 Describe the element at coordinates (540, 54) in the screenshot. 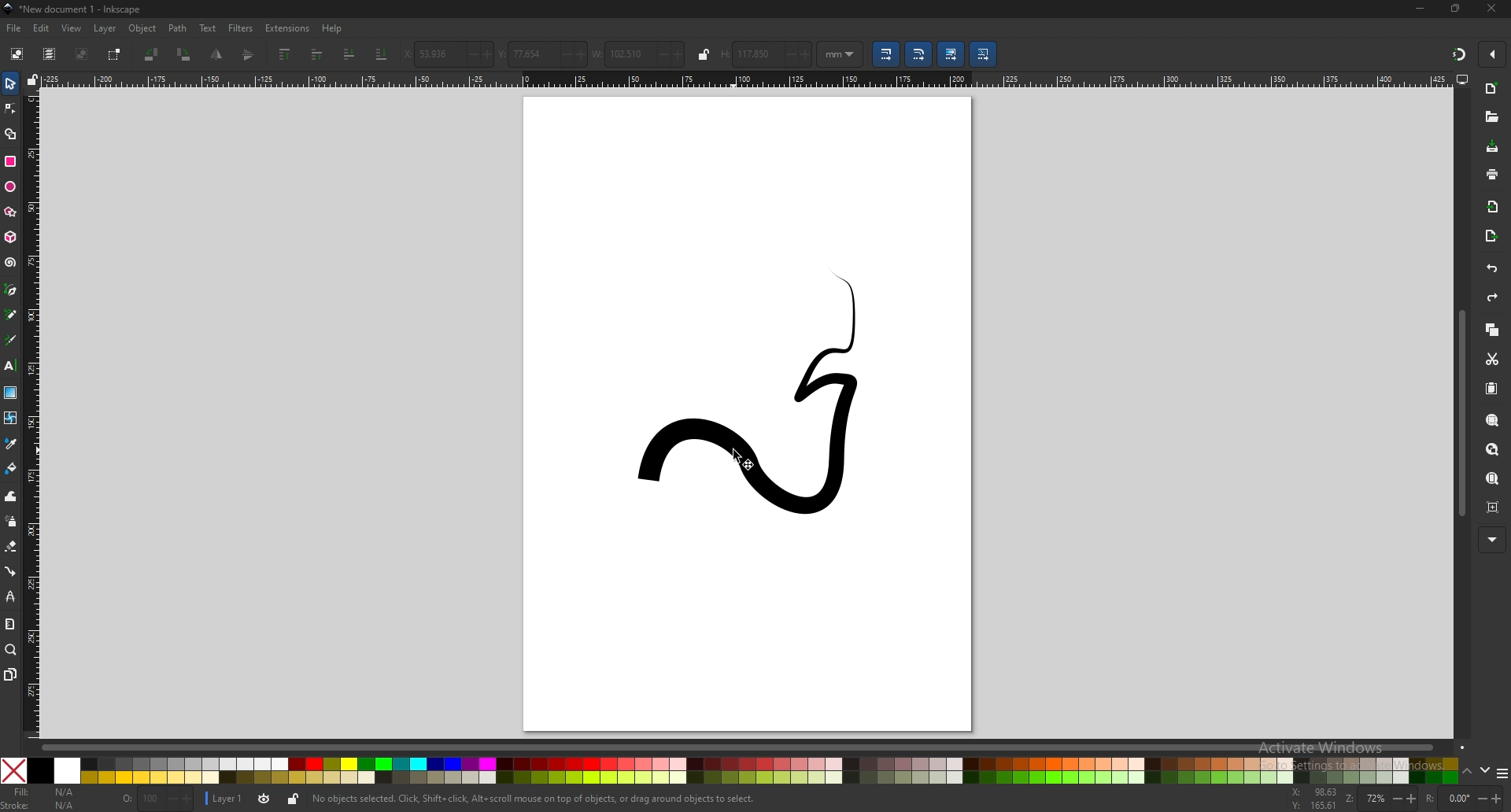

I see `y coordinates` at that location.